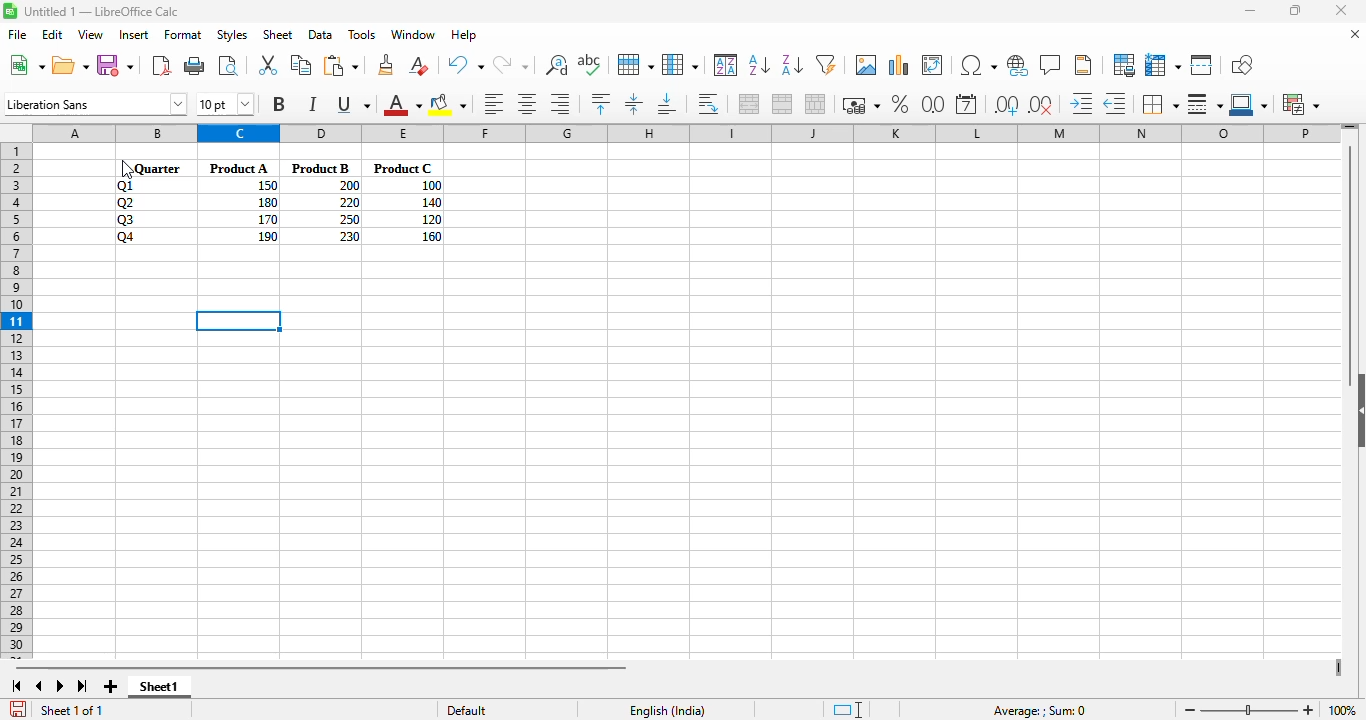  What do you see at coordinates (826, 64) in the screenshot?
I see `autofilter` at bounding box center [826, 64].